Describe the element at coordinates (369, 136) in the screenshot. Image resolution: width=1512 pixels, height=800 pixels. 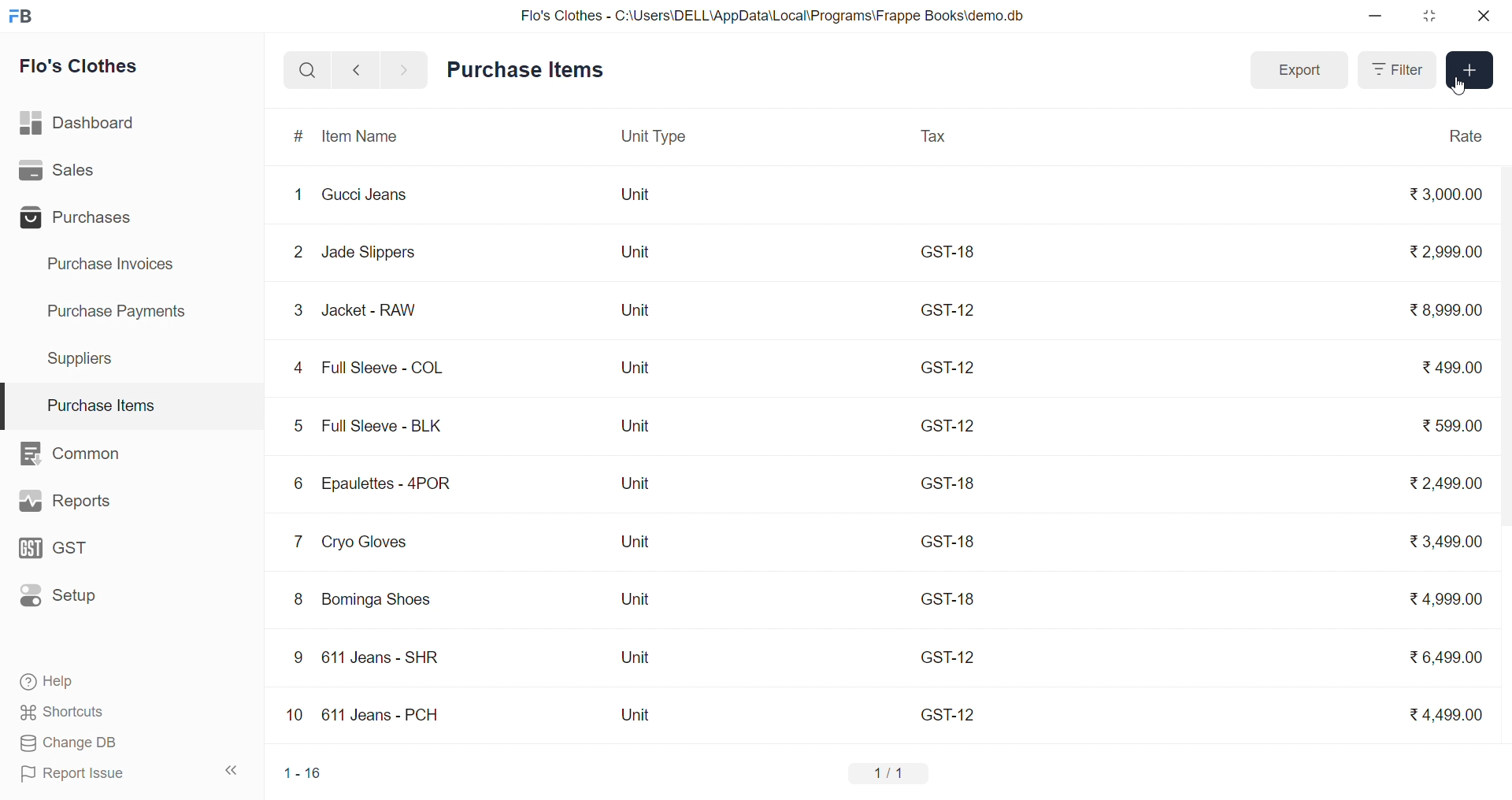
I see `Item Name` at that location.